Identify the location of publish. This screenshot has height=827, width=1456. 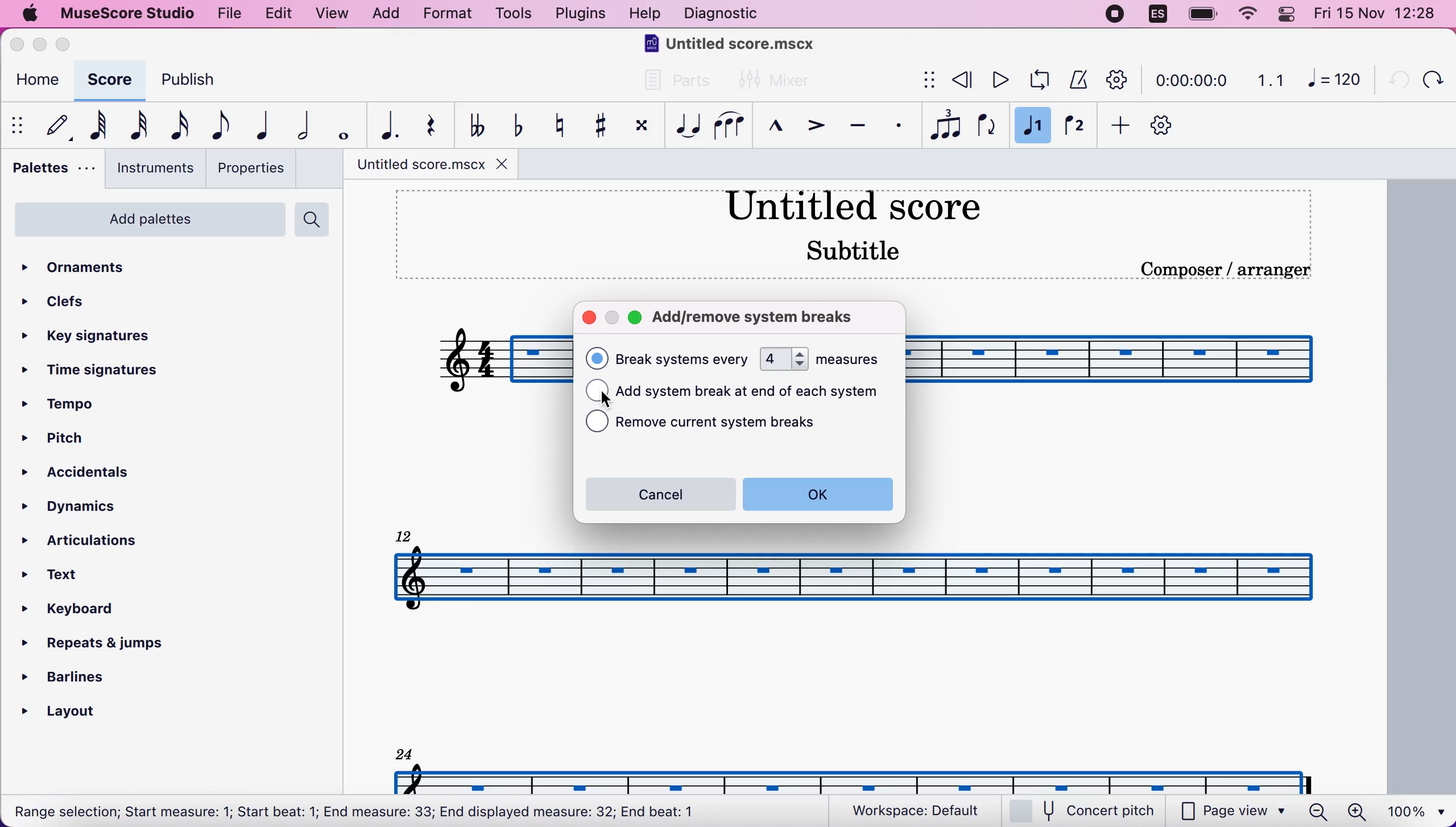
(198, 84).